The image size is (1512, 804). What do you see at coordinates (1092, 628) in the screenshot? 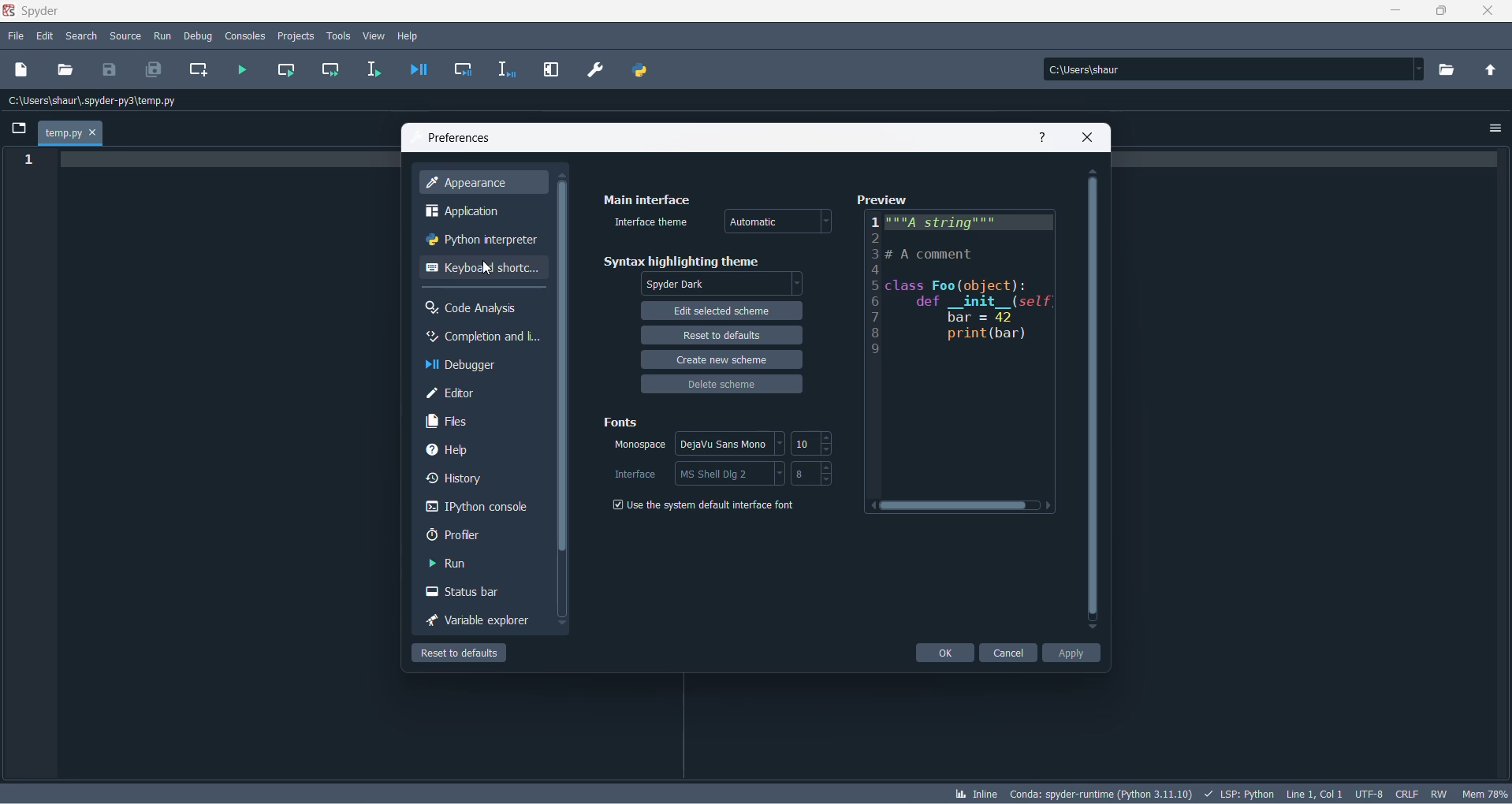
I see `move down` at bounding box center [1092, 628].